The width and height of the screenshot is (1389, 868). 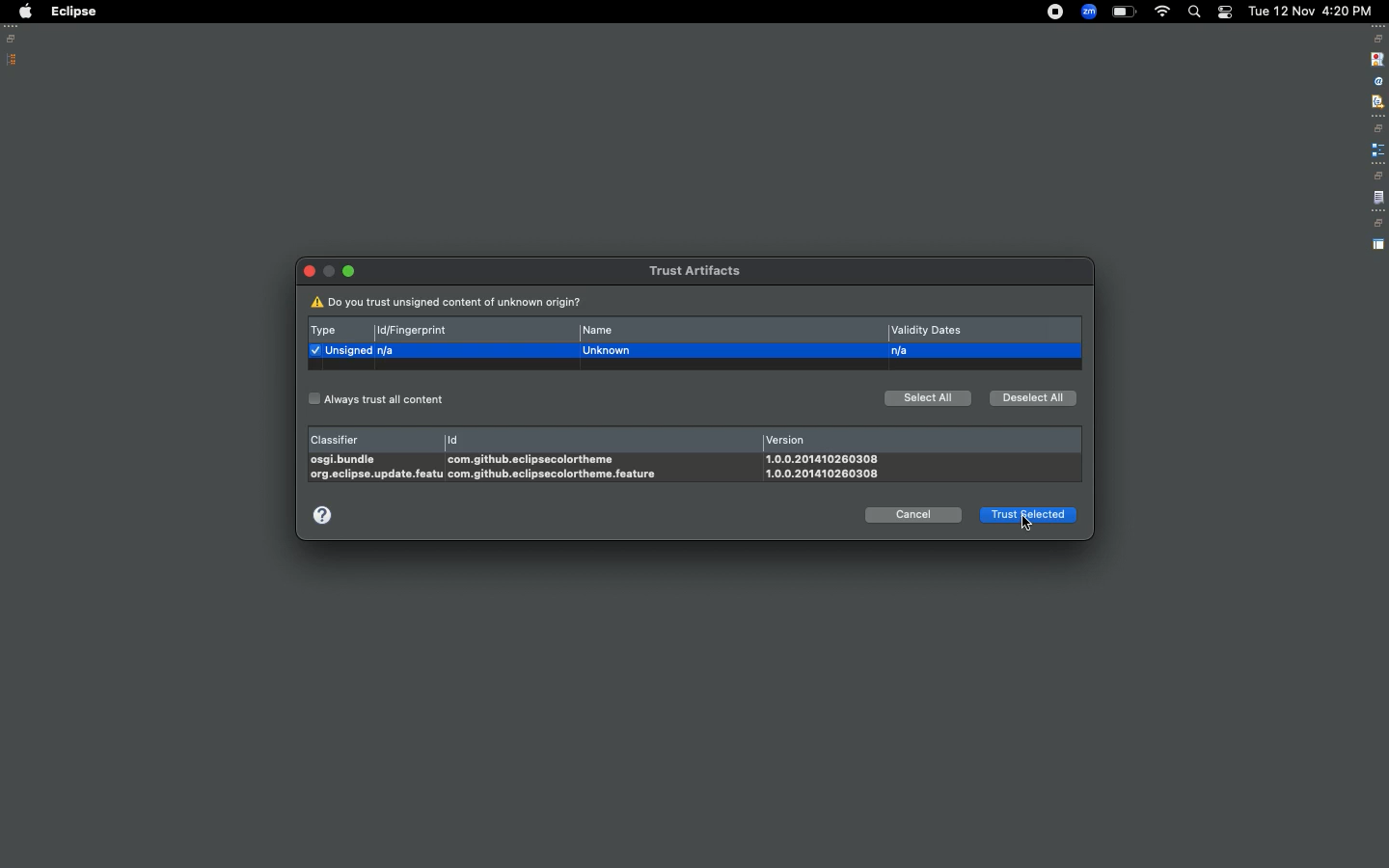 What do you see at coordinates (1030, 397) in the screenshot?
I see `Deselect all` at bounding box center [1030, 397].